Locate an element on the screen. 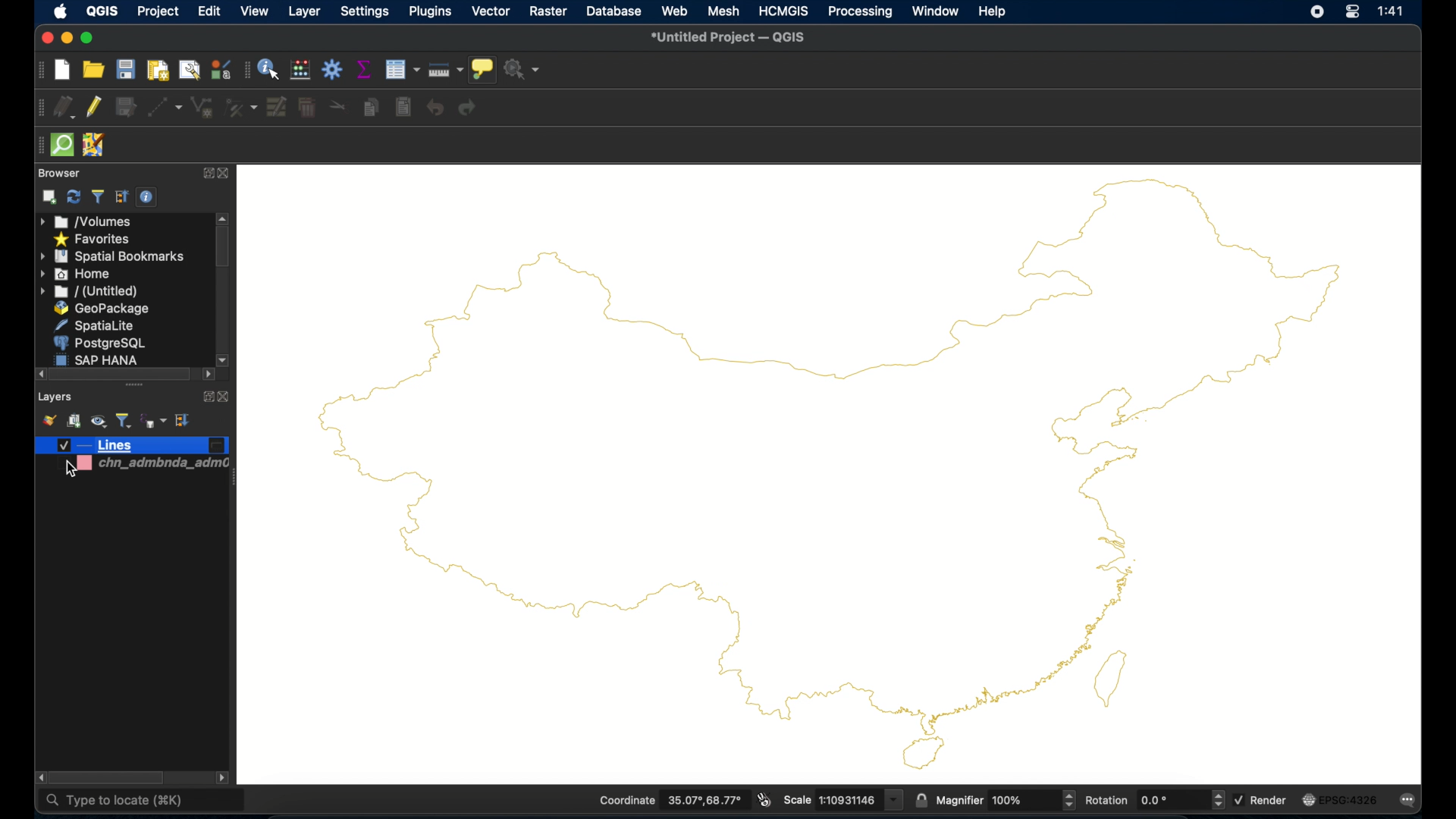 This screenshot has width=1456, height=819. quick osm is located at coordinates (64, 146).